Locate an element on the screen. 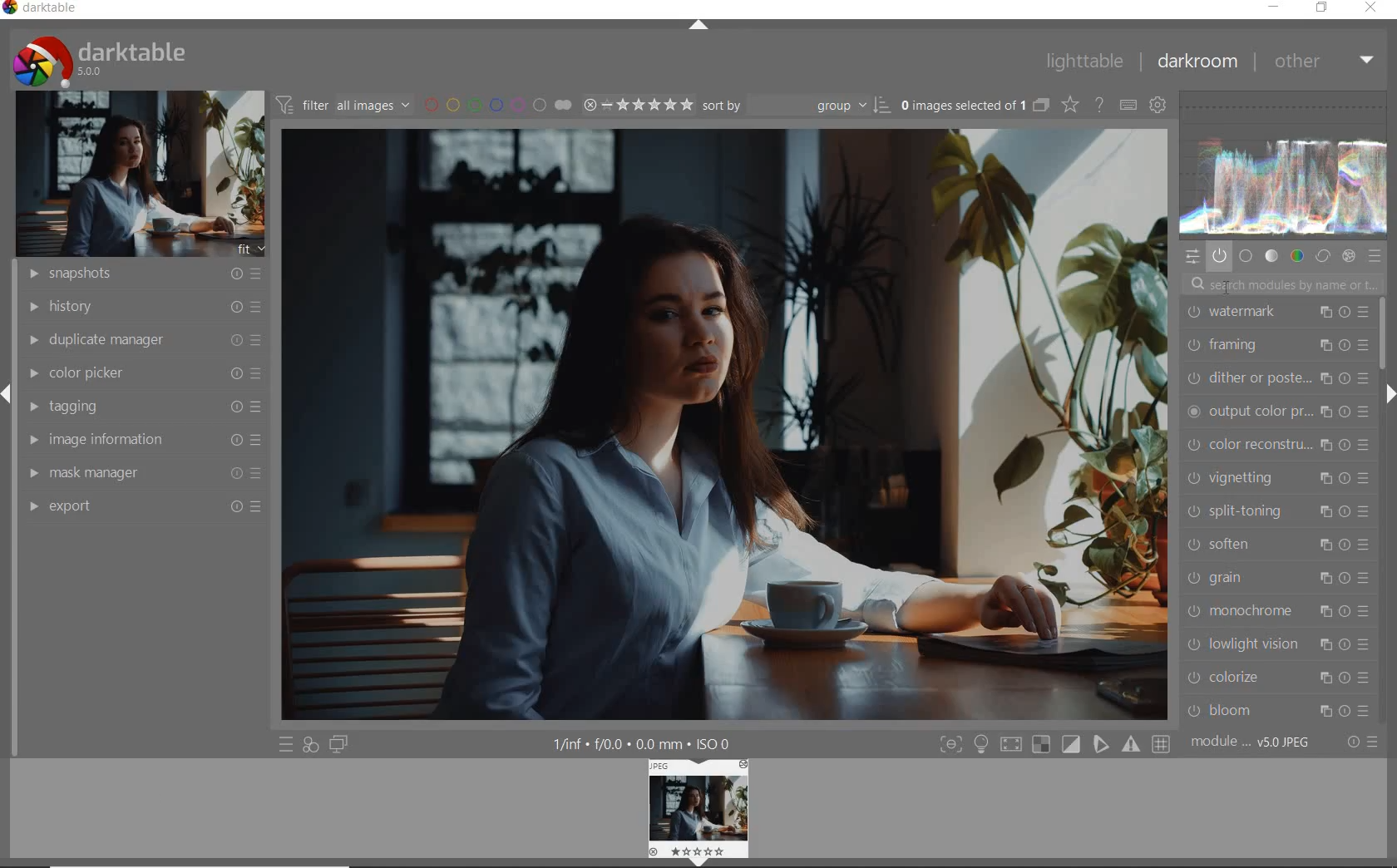 This screenshot has height=868, width=1397. darkroom is located at coordinates (1196, 62).